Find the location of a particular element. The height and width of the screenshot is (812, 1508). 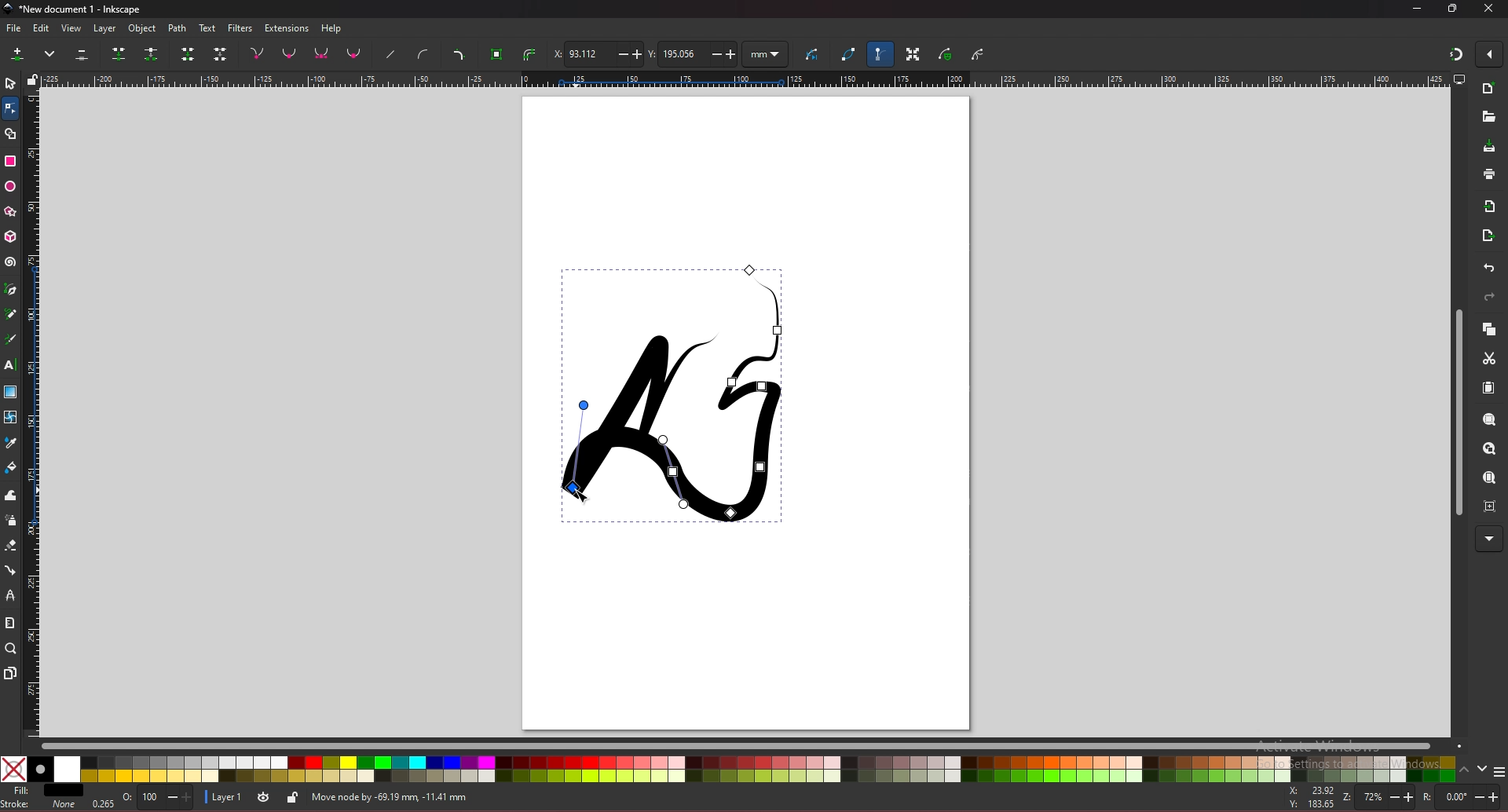

rotate is located at coordinates (1461, 796).